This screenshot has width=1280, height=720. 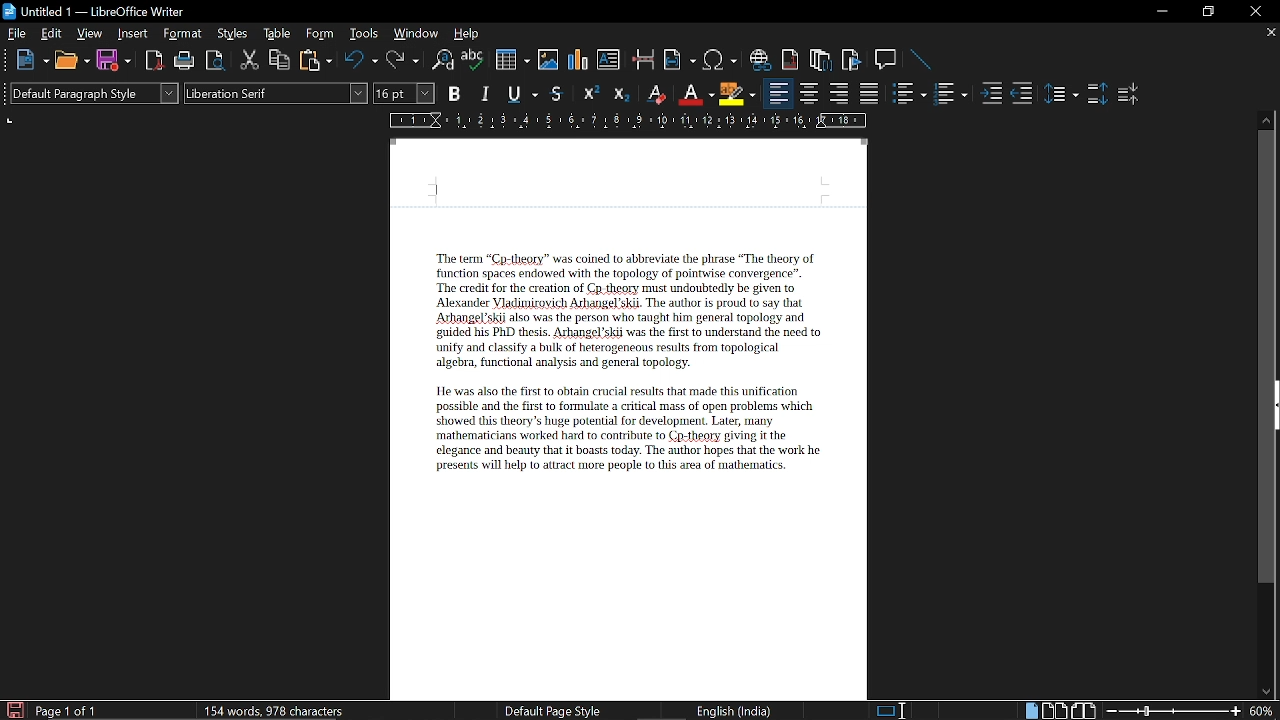 What do you see at coordinates (320, 33) in the screenshot?
I see `Form` at bounding box center [320, 33].